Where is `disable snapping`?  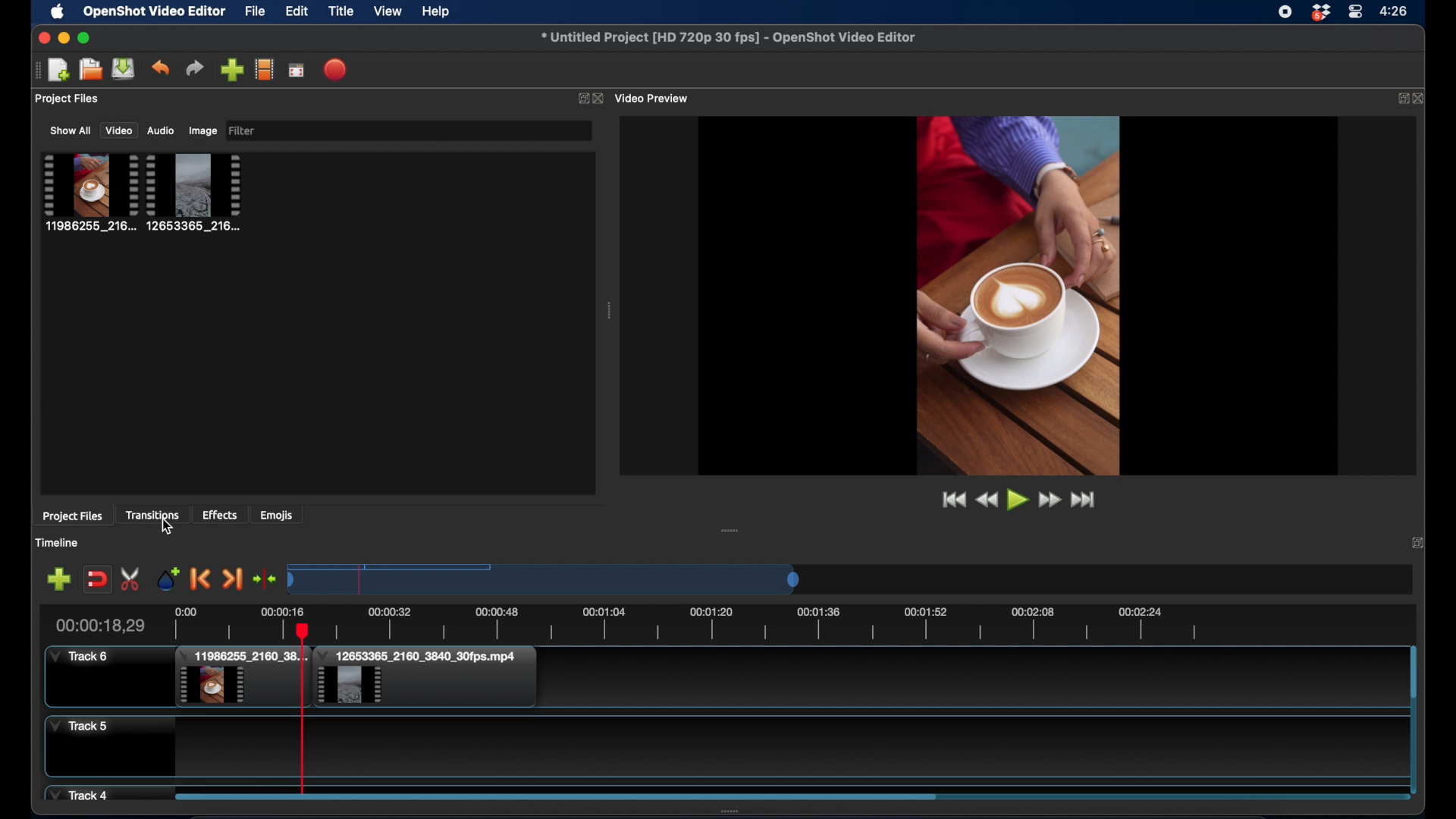
disable snapping is located at coordinates (97, 578).